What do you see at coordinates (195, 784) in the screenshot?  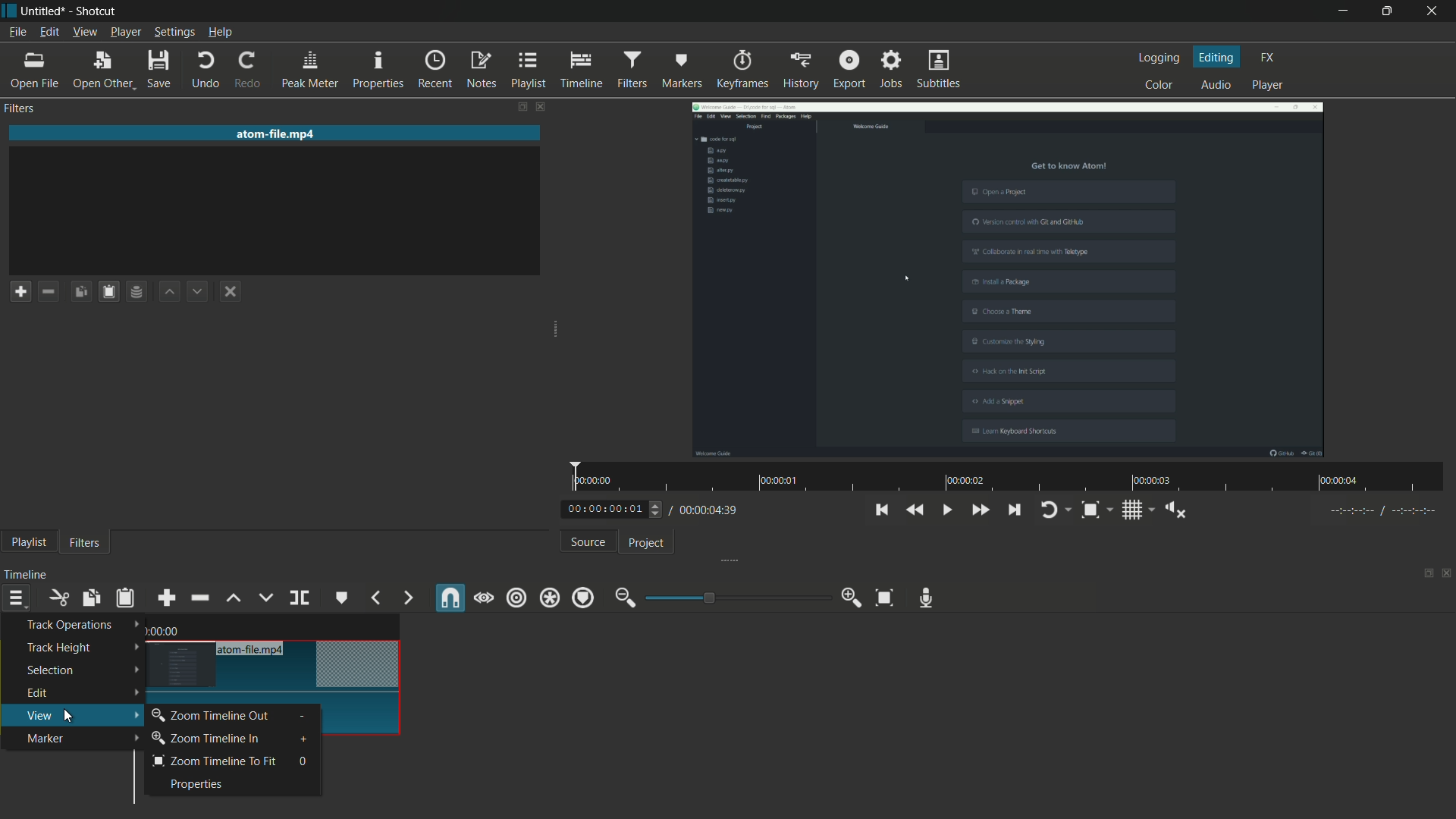 I see `properties` at bounding box center [195, 784].